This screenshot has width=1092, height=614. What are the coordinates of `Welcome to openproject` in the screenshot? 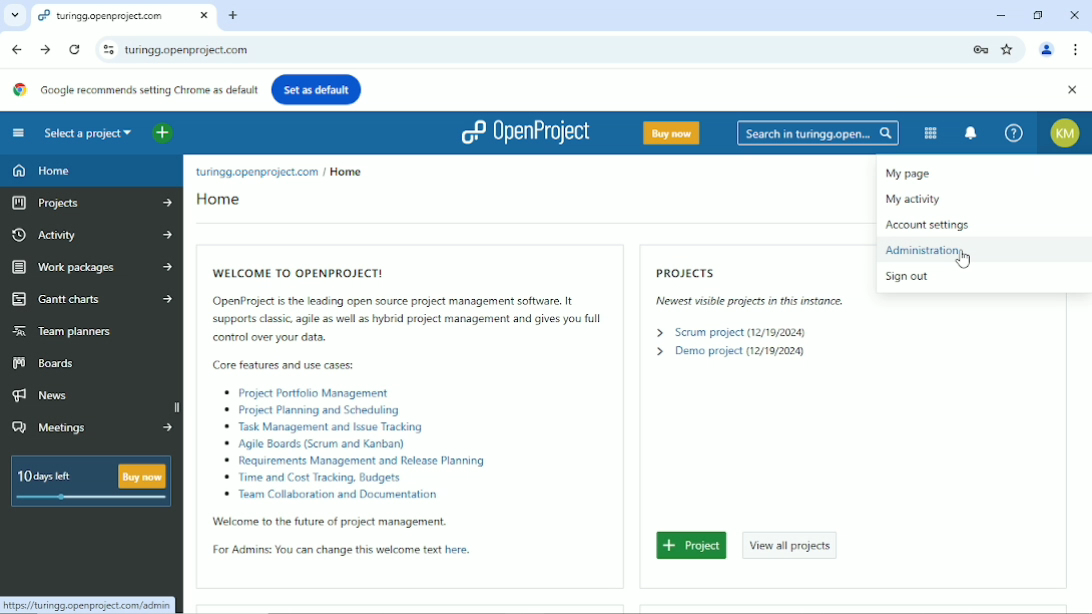 It's located at (315, 270).